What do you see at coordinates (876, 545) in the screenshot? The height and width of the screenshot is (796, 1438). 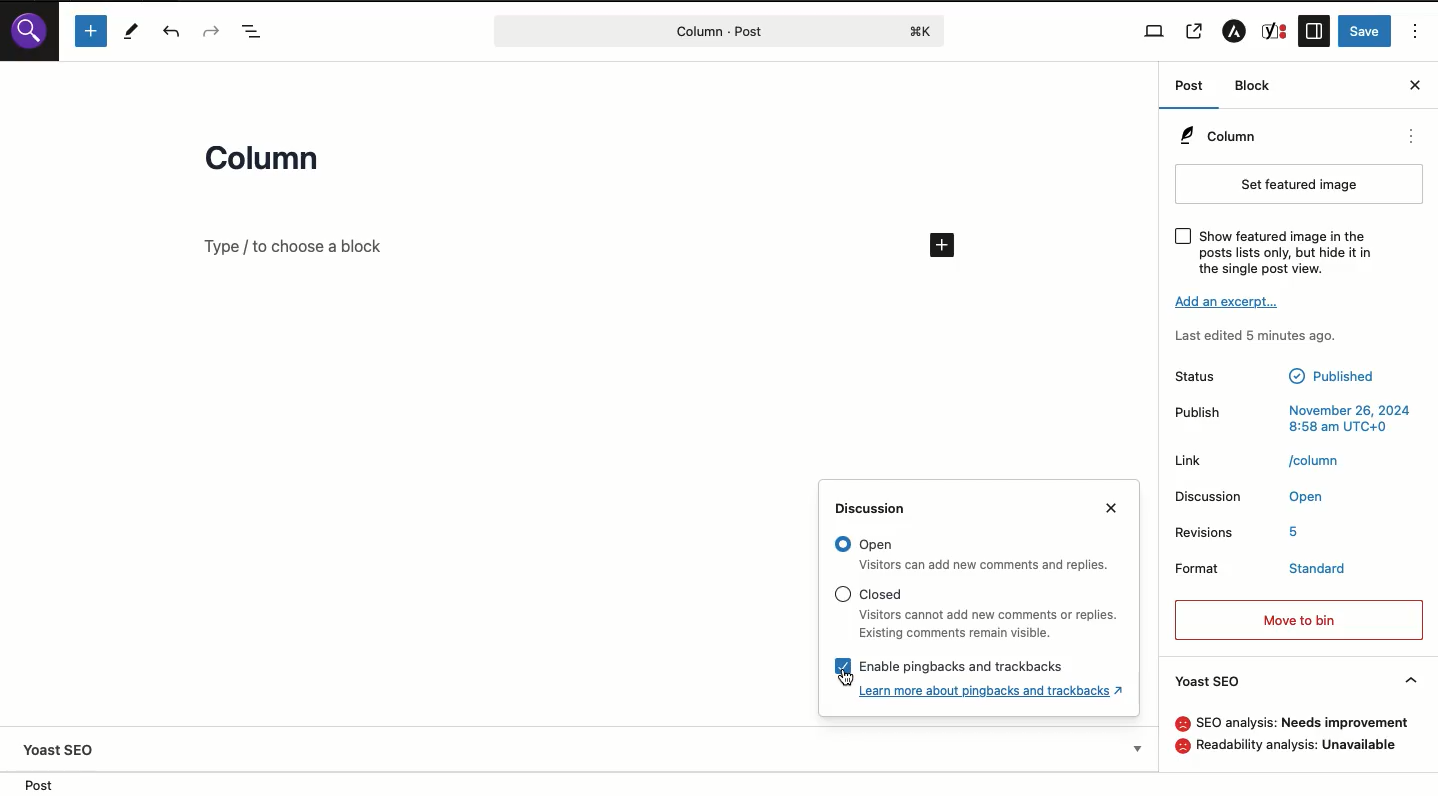 I see `` at bounding box center [876, 545].